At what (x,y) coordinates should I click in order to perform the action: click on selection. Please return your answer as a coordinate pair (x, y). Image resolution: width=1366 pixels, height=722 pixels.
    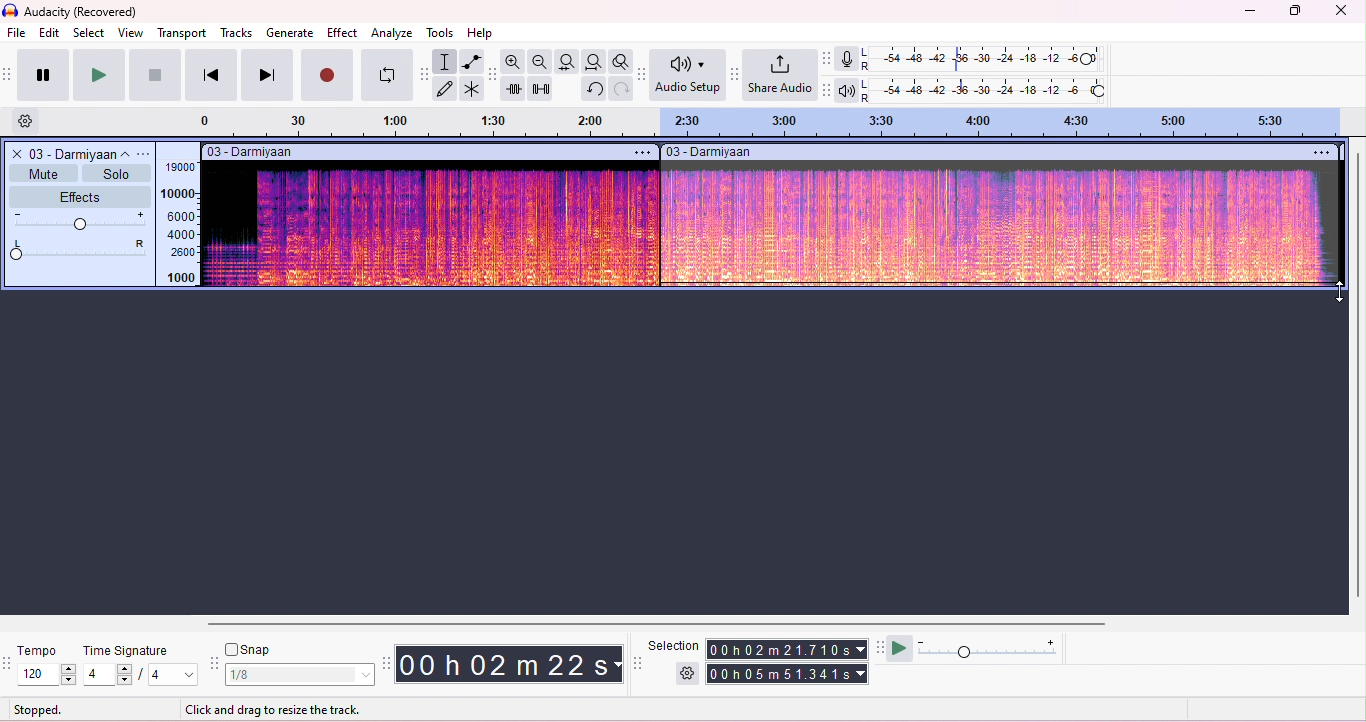
    Looking at the image, I should click on (446, 61).